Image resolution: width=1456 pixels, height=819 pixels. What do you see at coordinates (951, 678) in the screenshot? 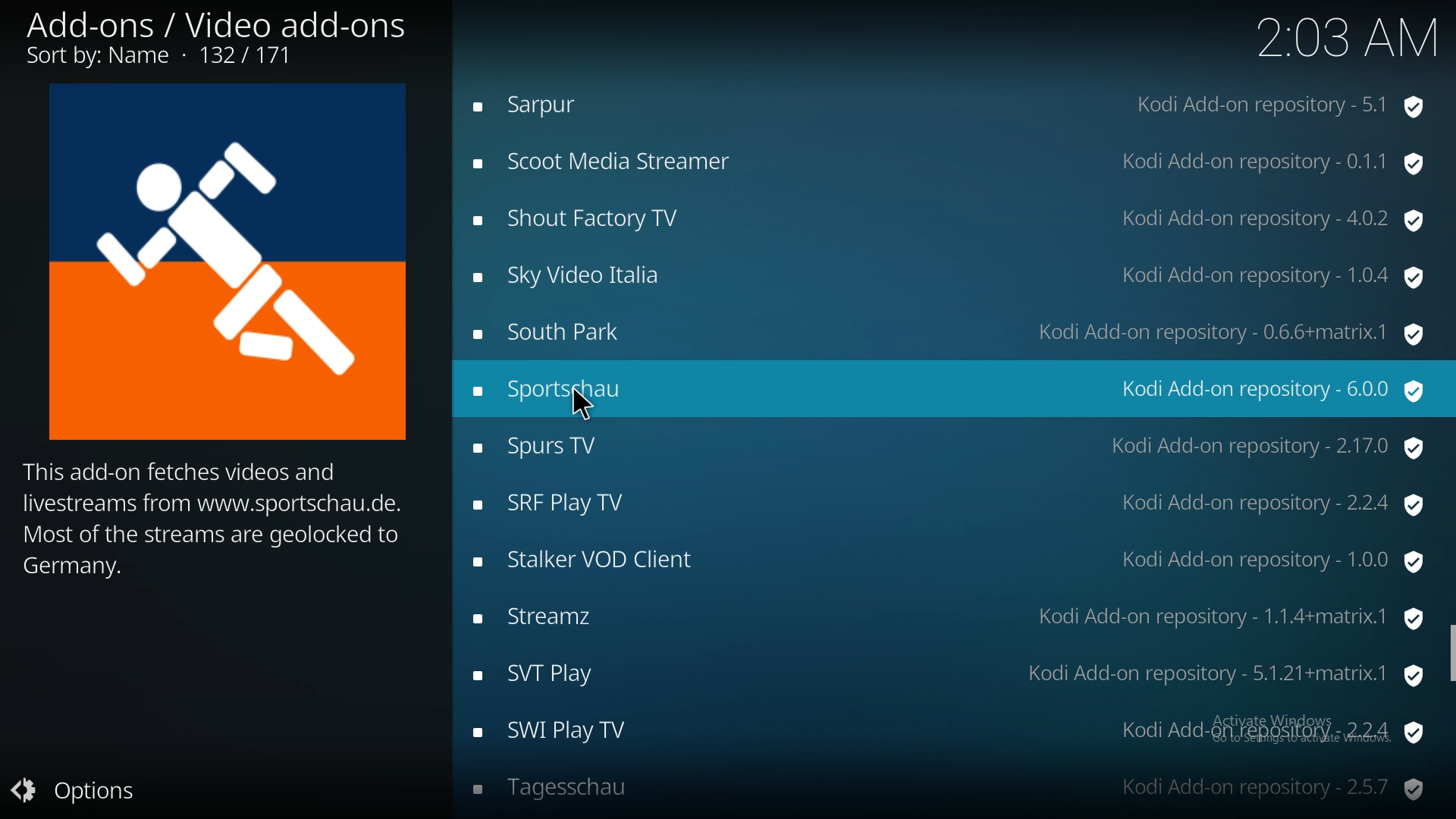
I see `svt play` at bounding box center [951, 678].